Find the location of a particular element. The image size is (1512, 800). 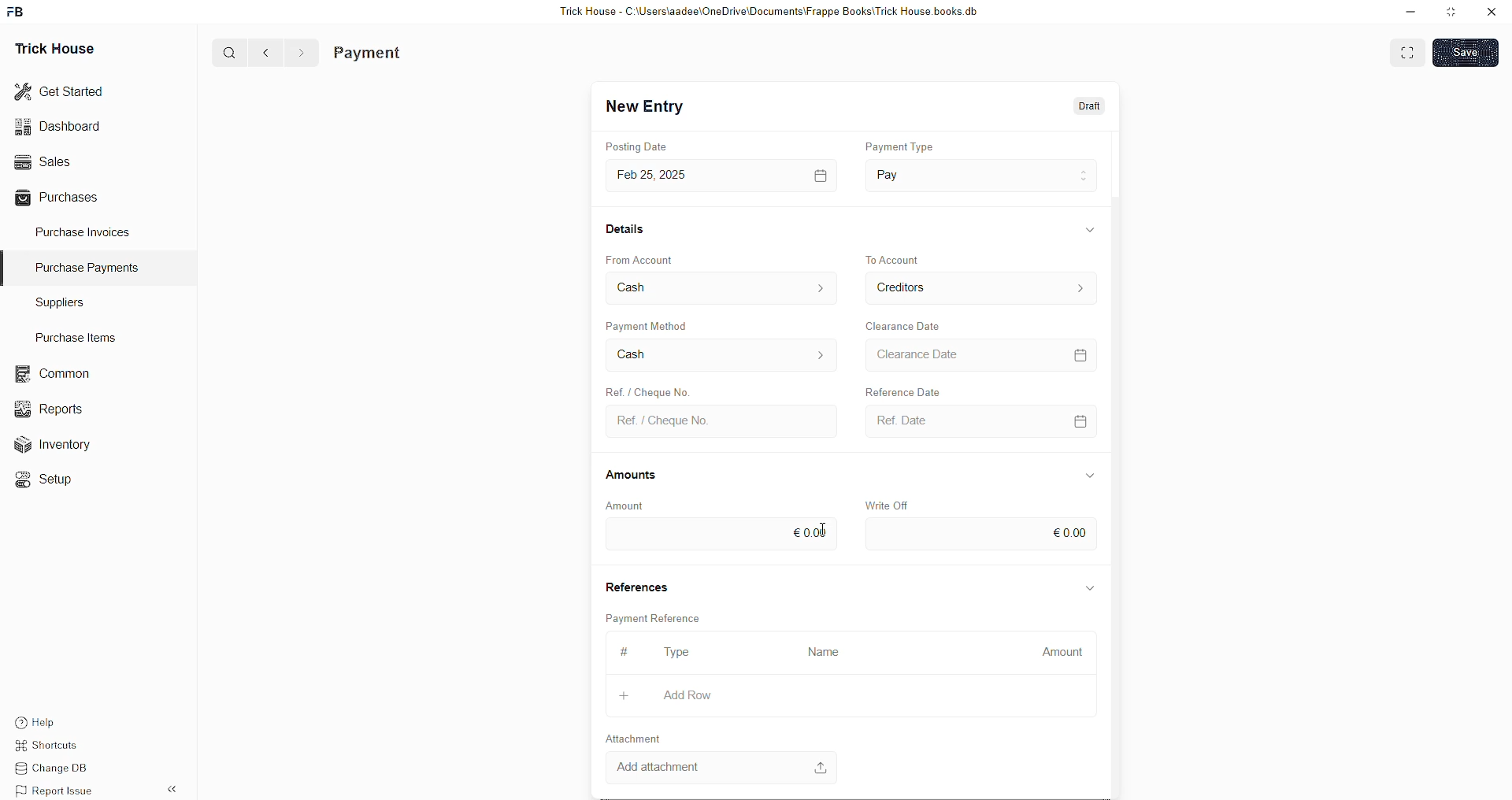

FB is located at coordinates (18, 10).